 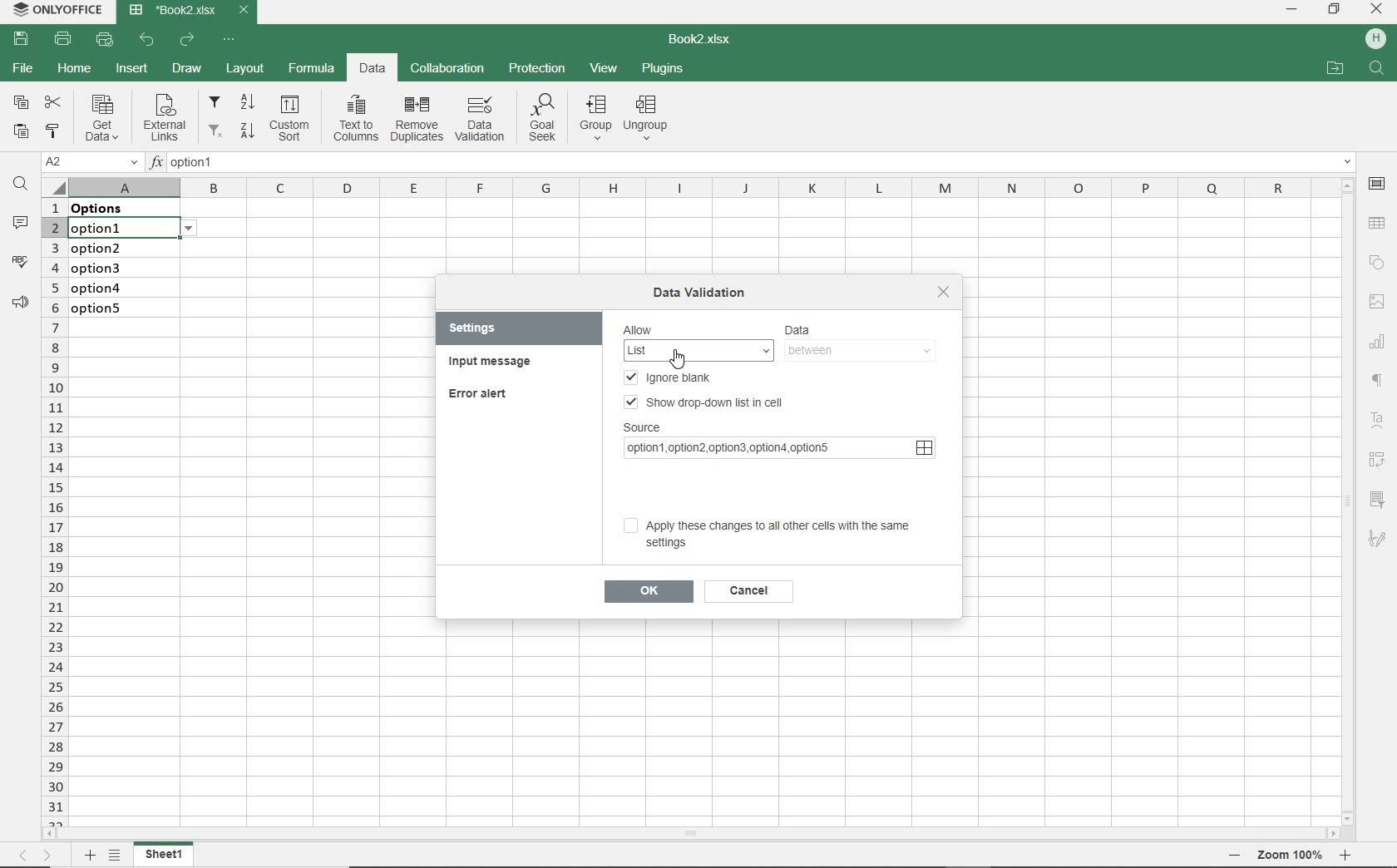 What do you see at coordinates (1292, 855) in the screenshot?
I see `Zoom 100%` at bounding box center [1292, 855].